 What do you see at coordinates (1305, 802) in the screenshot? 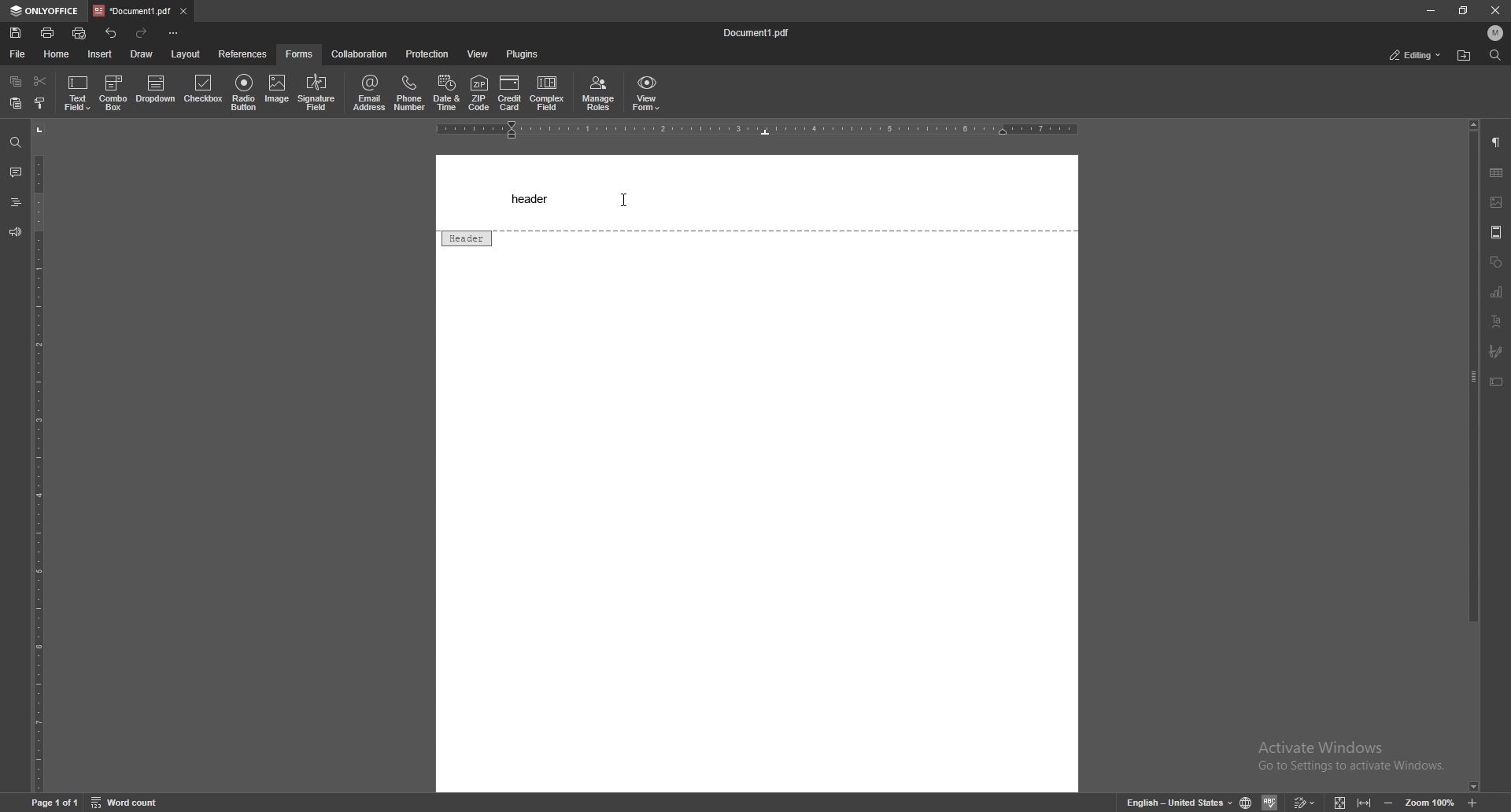
I see `track changes` at bounding box center [1305, 802].